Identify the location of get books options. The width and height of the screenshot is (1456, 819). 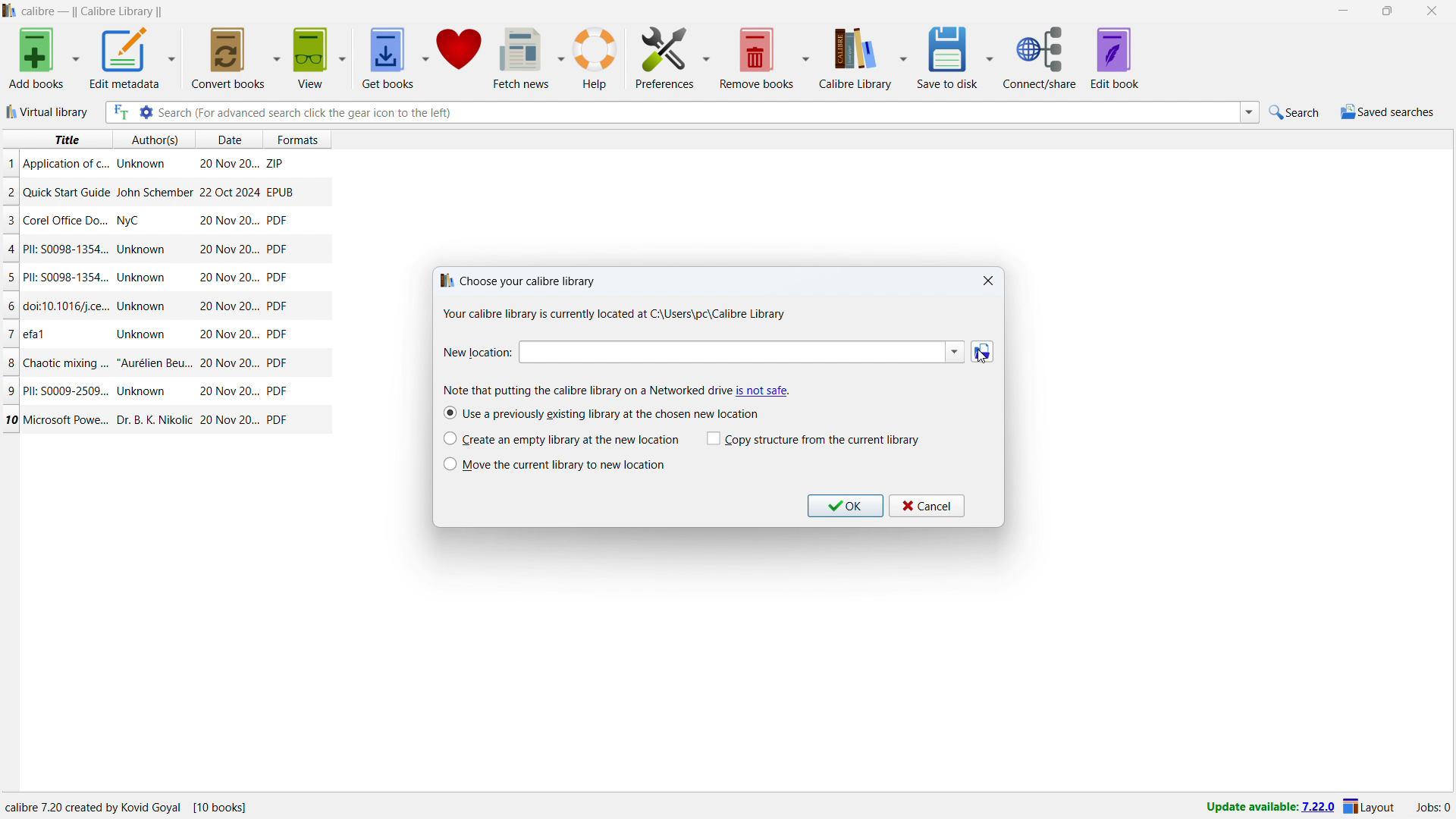
(425, 58).